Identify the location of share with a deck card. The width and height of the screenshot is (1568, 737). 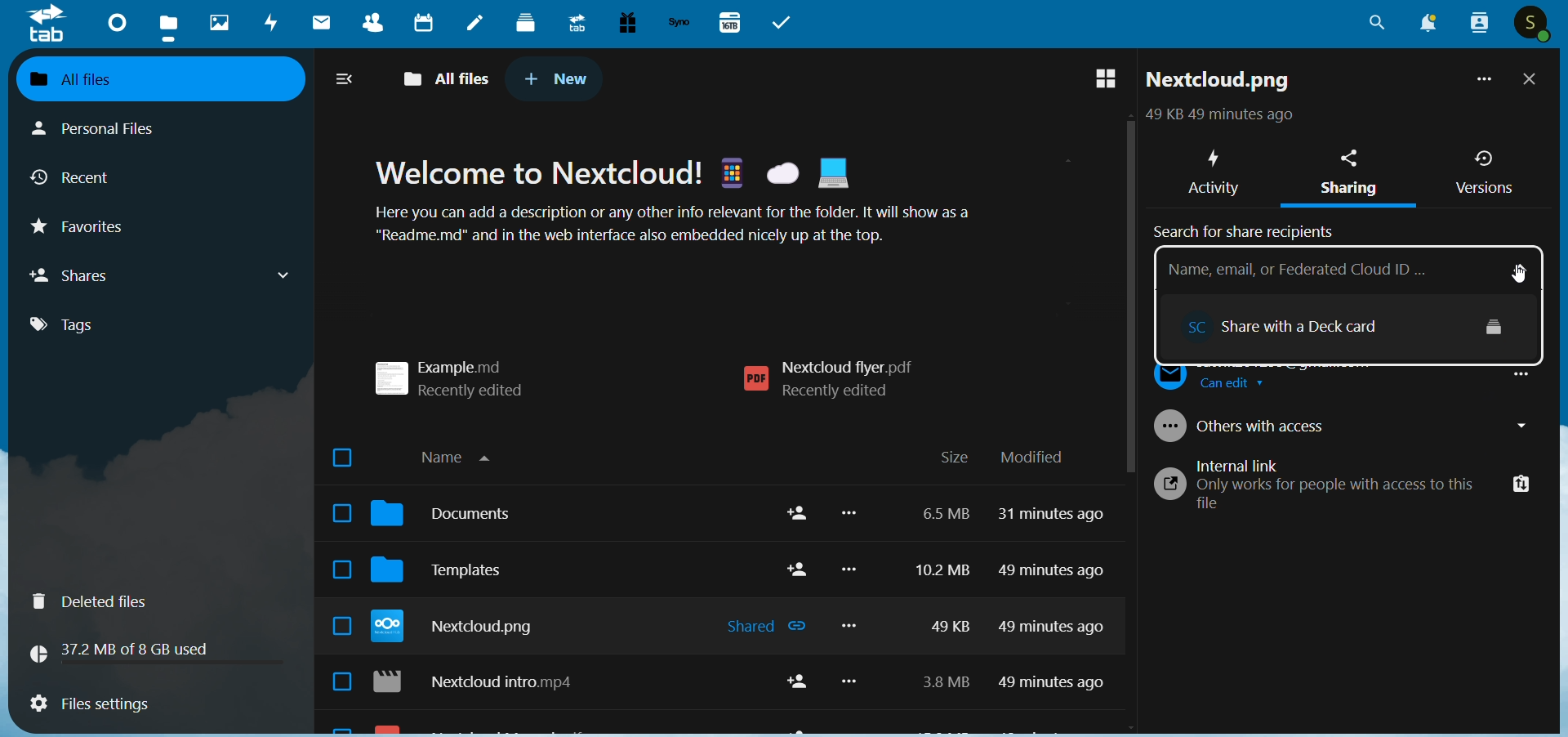
(1312, 323).